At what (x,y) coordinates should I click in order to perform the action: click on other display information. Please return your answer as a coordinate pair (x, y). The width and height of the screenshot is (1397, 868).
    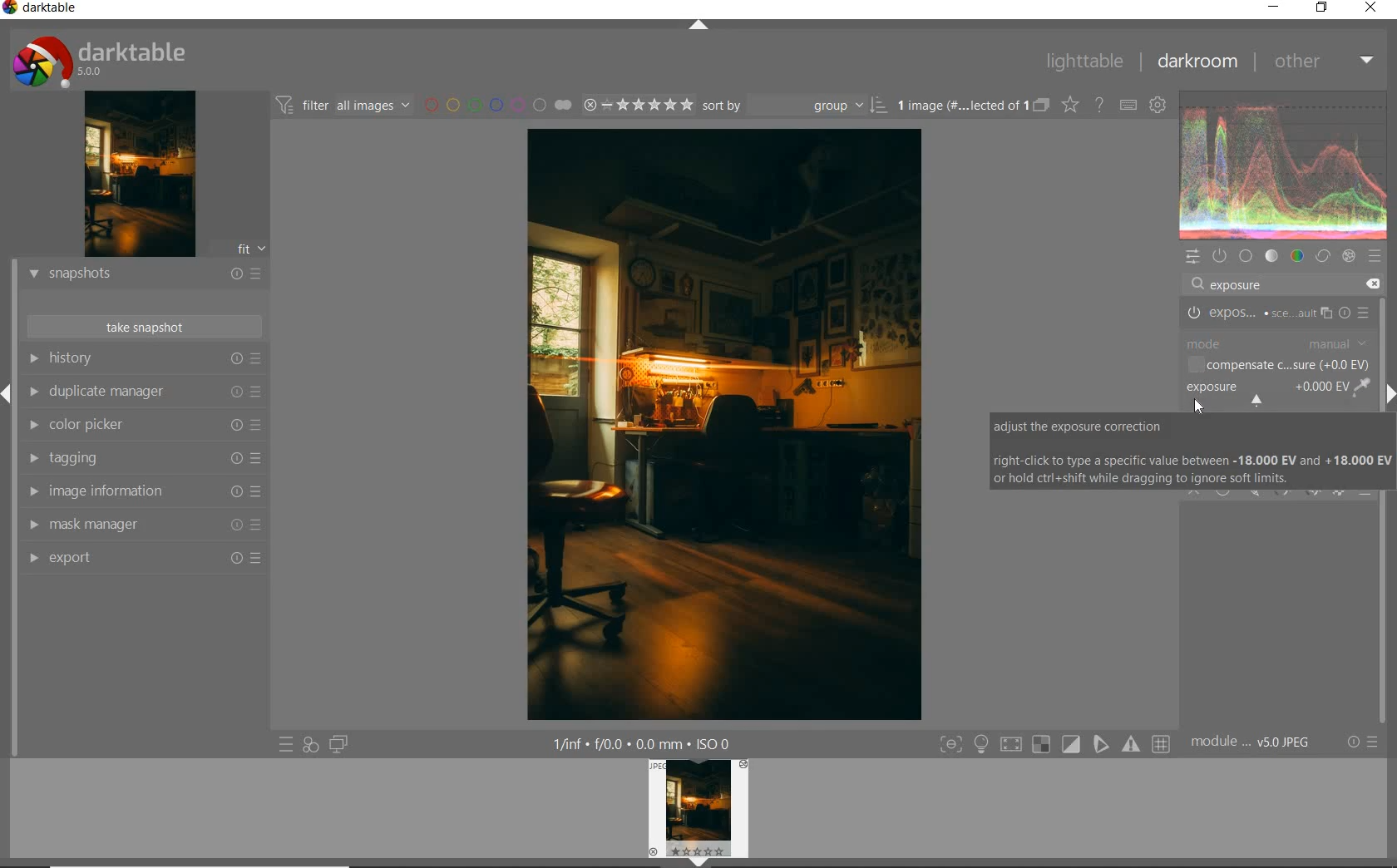
    Looking at the image, I should click on (640, 744).